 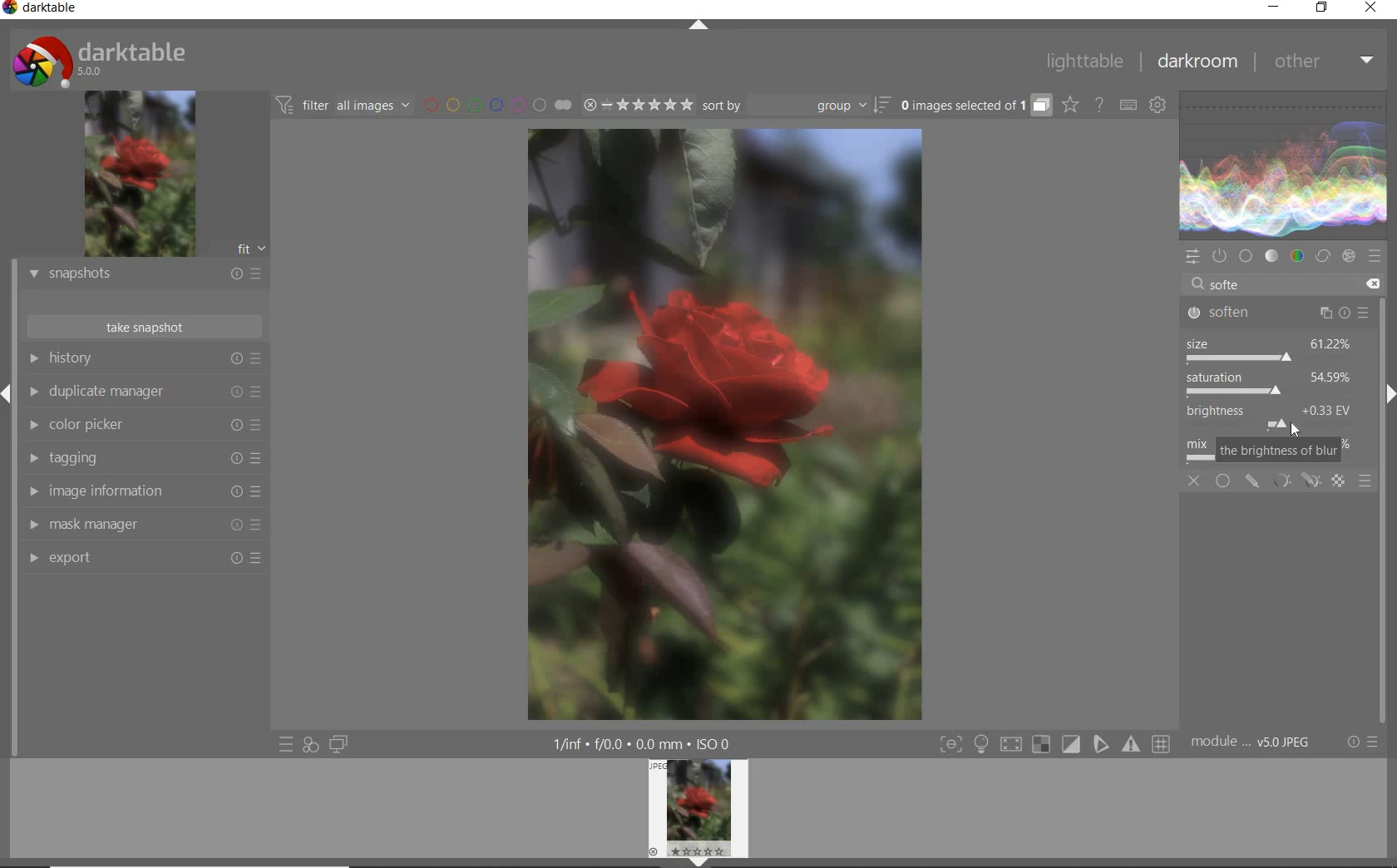 I want to click on color picker, so click(x=144, y=427).